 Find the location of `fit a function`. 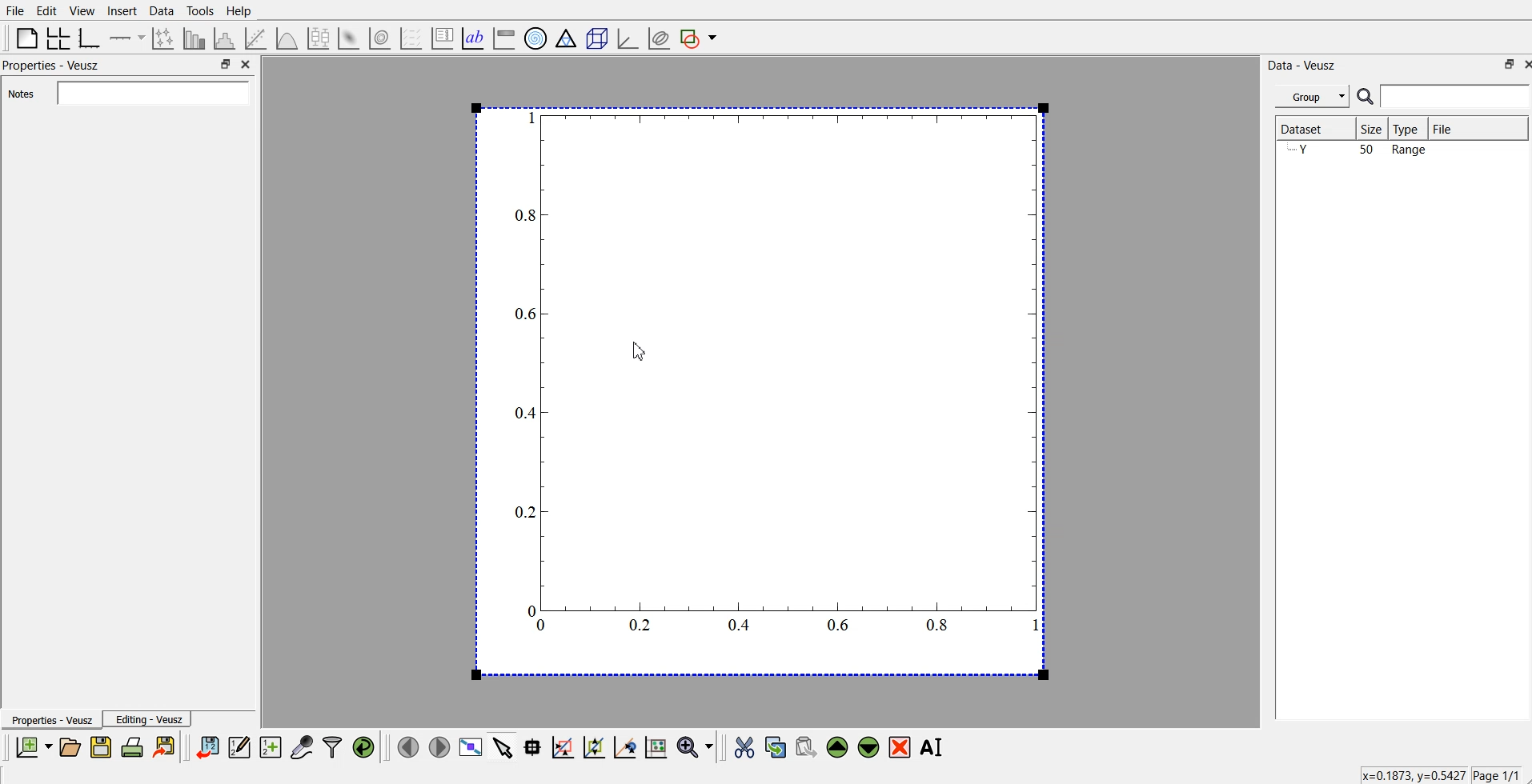

fit a function is located at coordinates (258, 37).